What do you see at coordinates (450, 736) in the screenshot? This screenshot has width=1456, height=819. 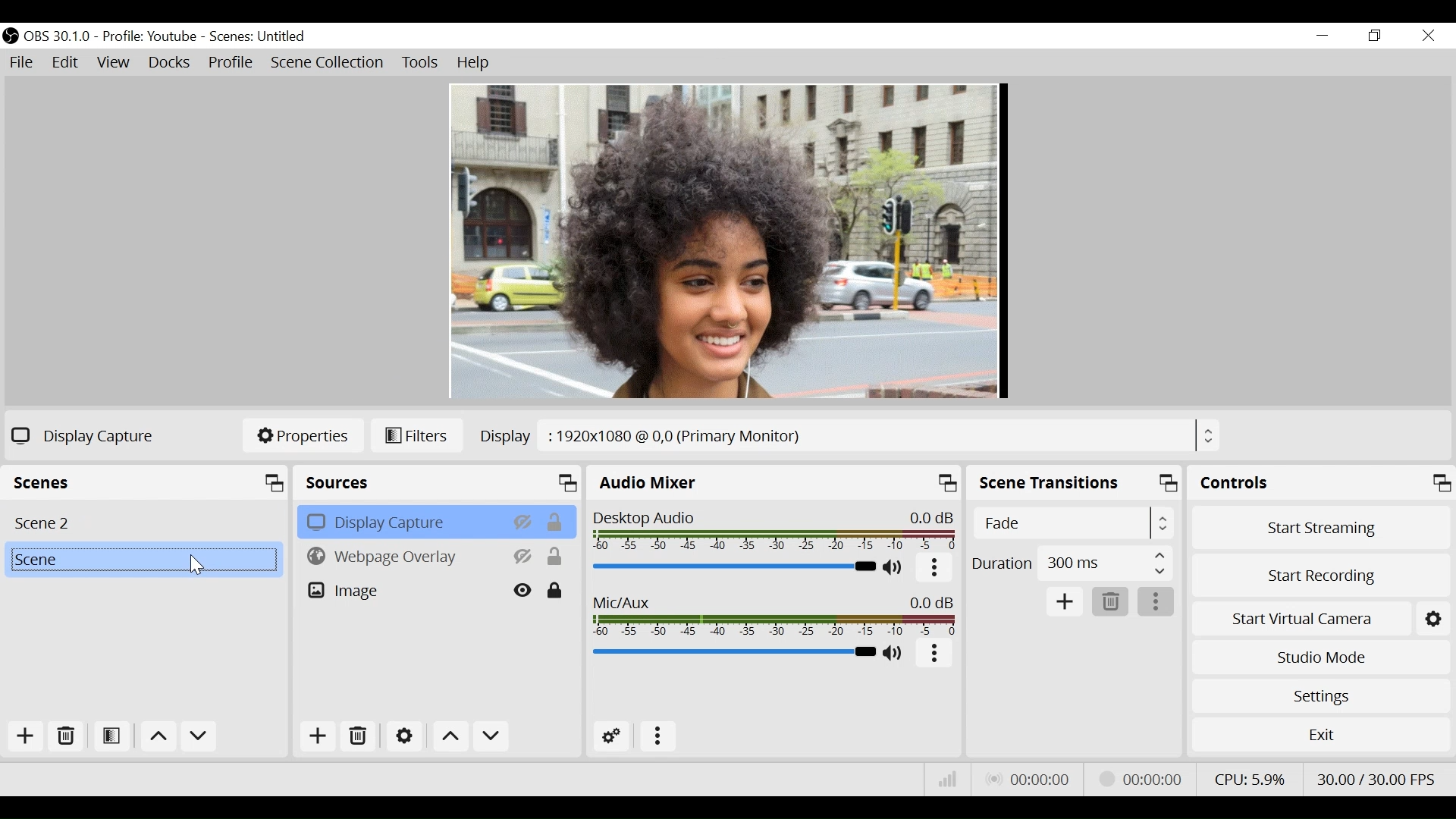 I see `Move up` at bounding box center [450, 736].